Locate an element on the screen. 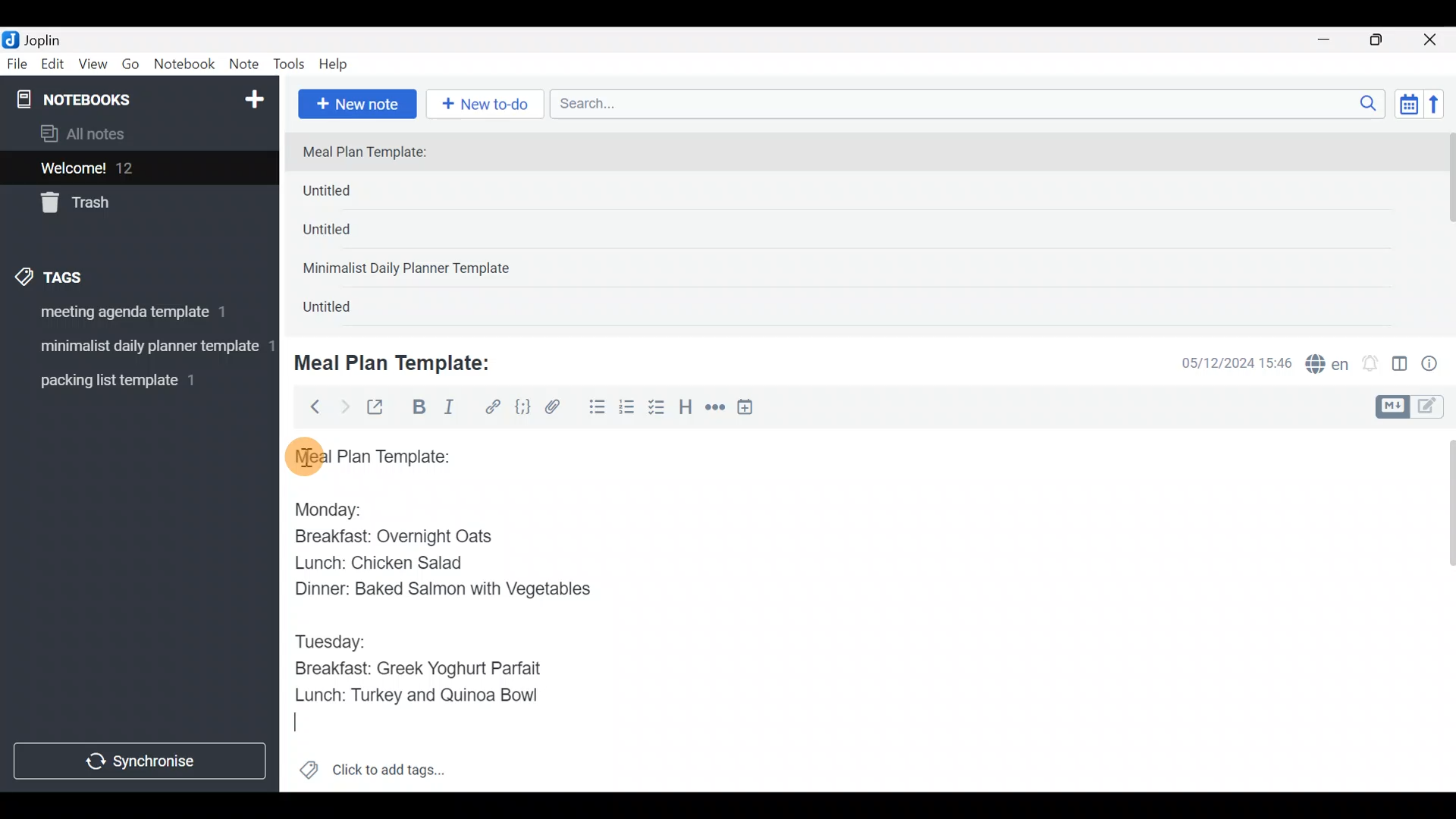 This screenshot has height=819, width=1456. All notes is located at coordinates (136, 135).